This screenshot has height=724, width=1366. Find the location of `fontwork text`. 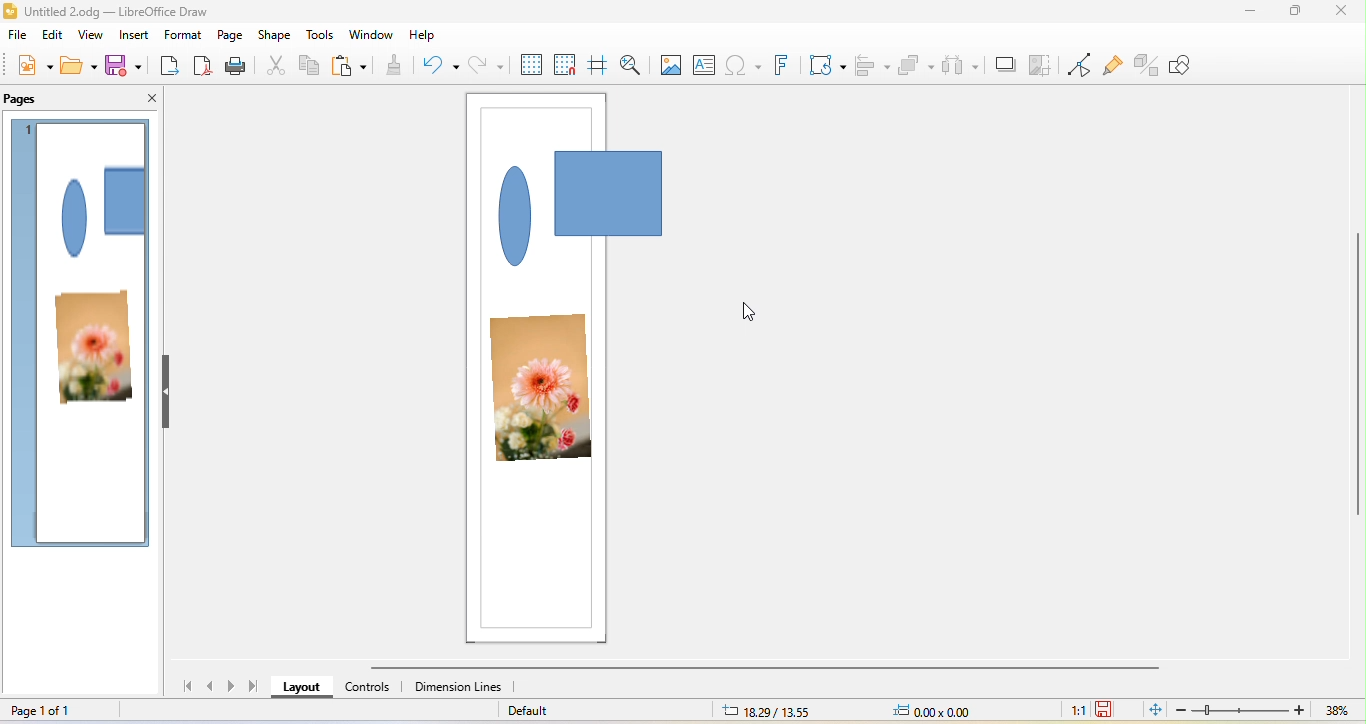

fontwork text is located at coordinates (788, 66).